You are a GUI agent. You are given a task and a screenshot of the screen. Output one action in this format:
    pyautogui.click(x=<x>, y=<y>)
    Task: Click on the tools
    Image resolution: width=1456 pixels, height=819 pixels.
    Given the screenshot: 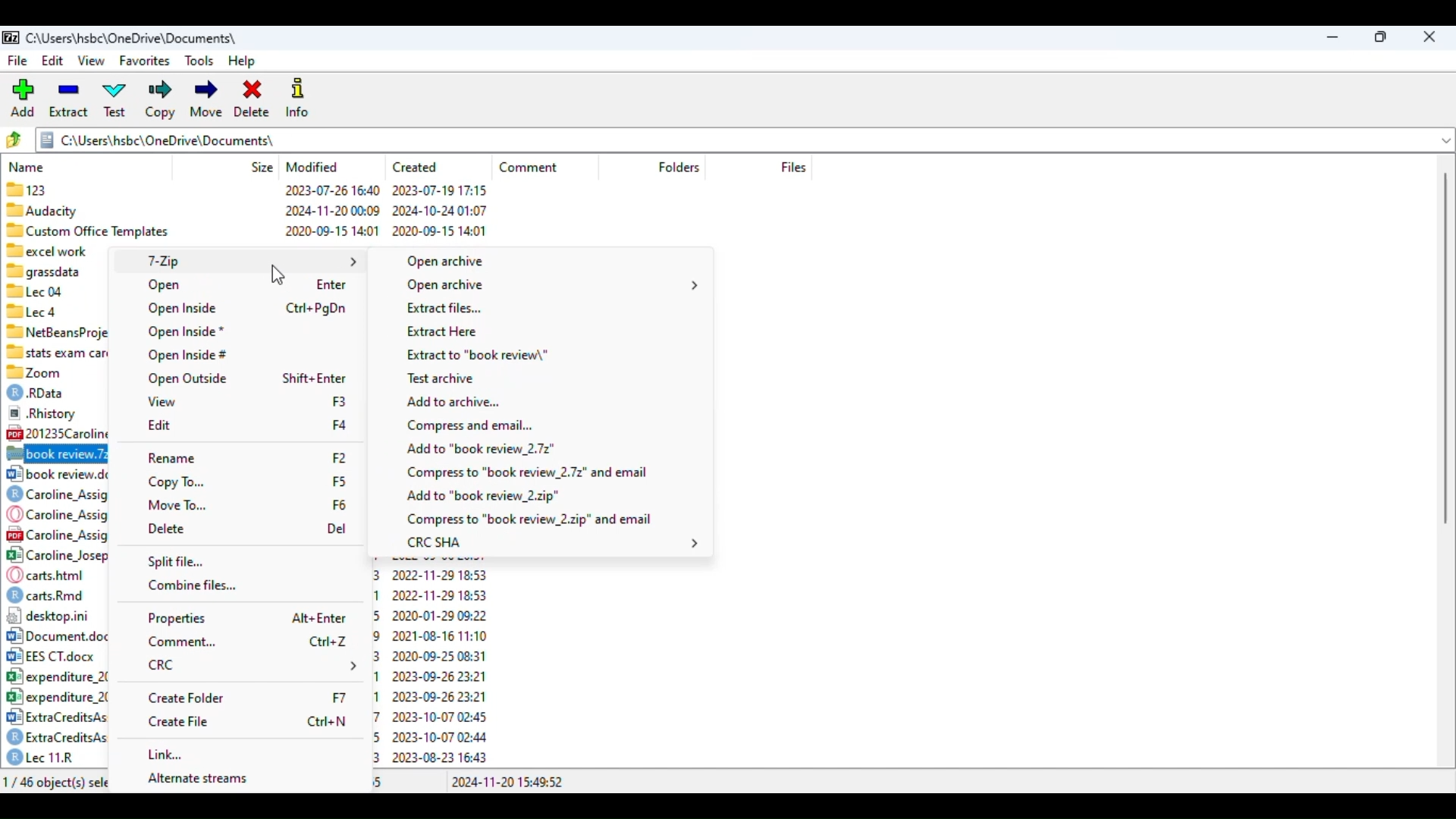 What is the action you would take?
    pyautogui.click(x=199, y=62)
    